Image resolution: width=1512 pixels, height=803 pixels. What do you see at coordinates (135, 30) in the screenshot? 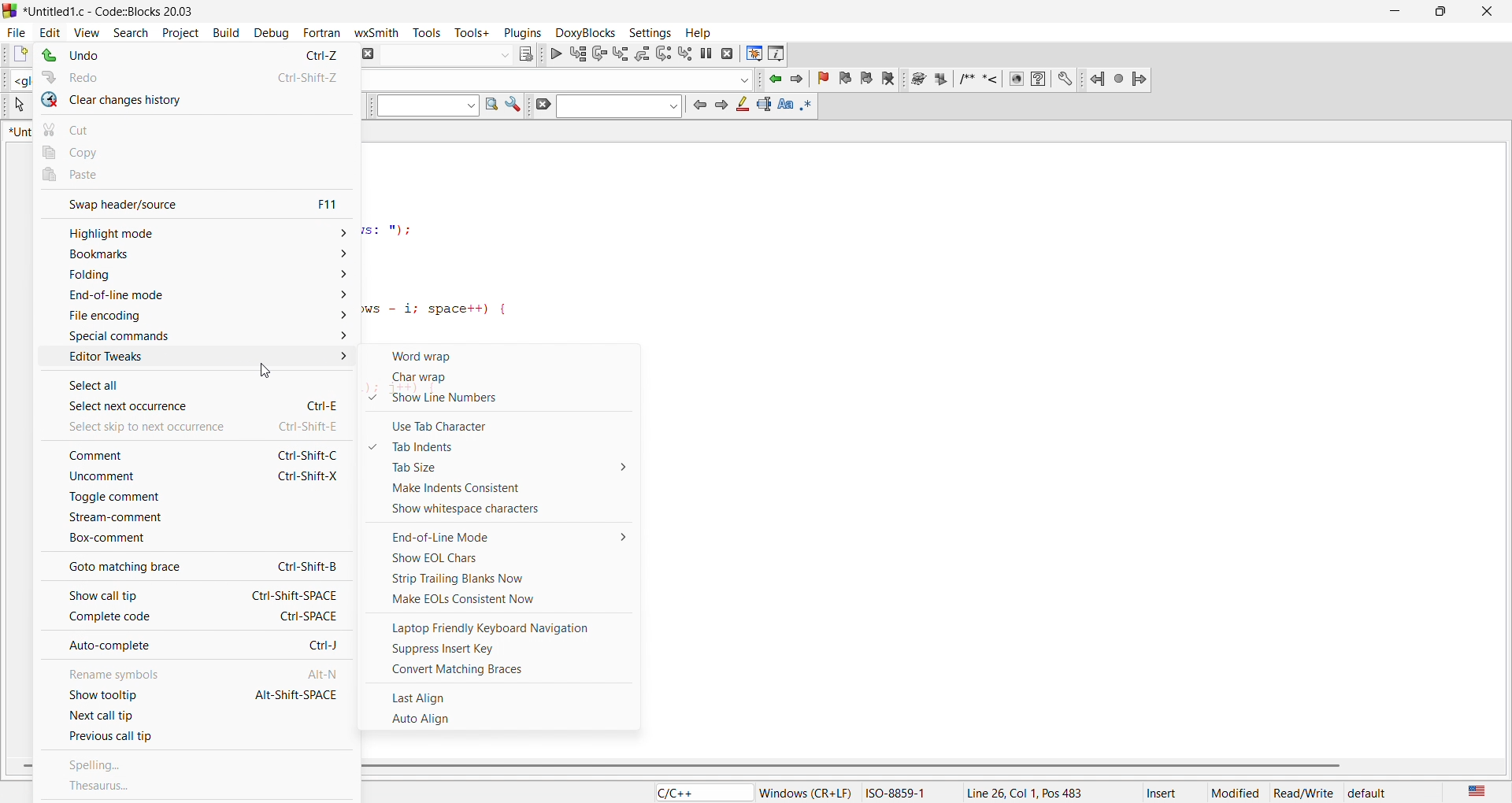
I see `search` at bounding box center [135, 30].